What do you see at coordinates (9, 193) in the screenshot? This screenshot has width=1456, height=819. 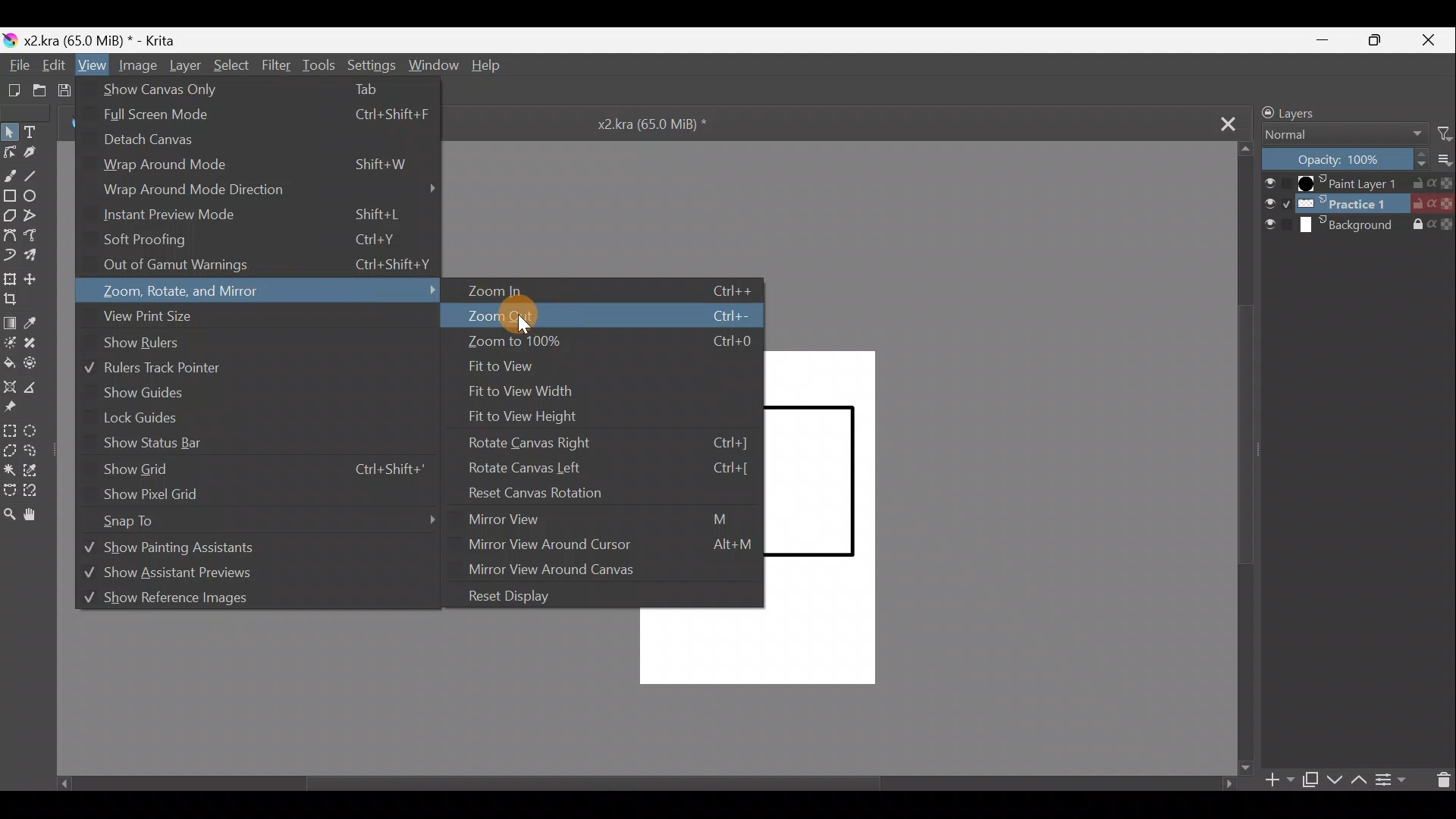 I see `Rectangle tool` at bounding box center [9, 193].